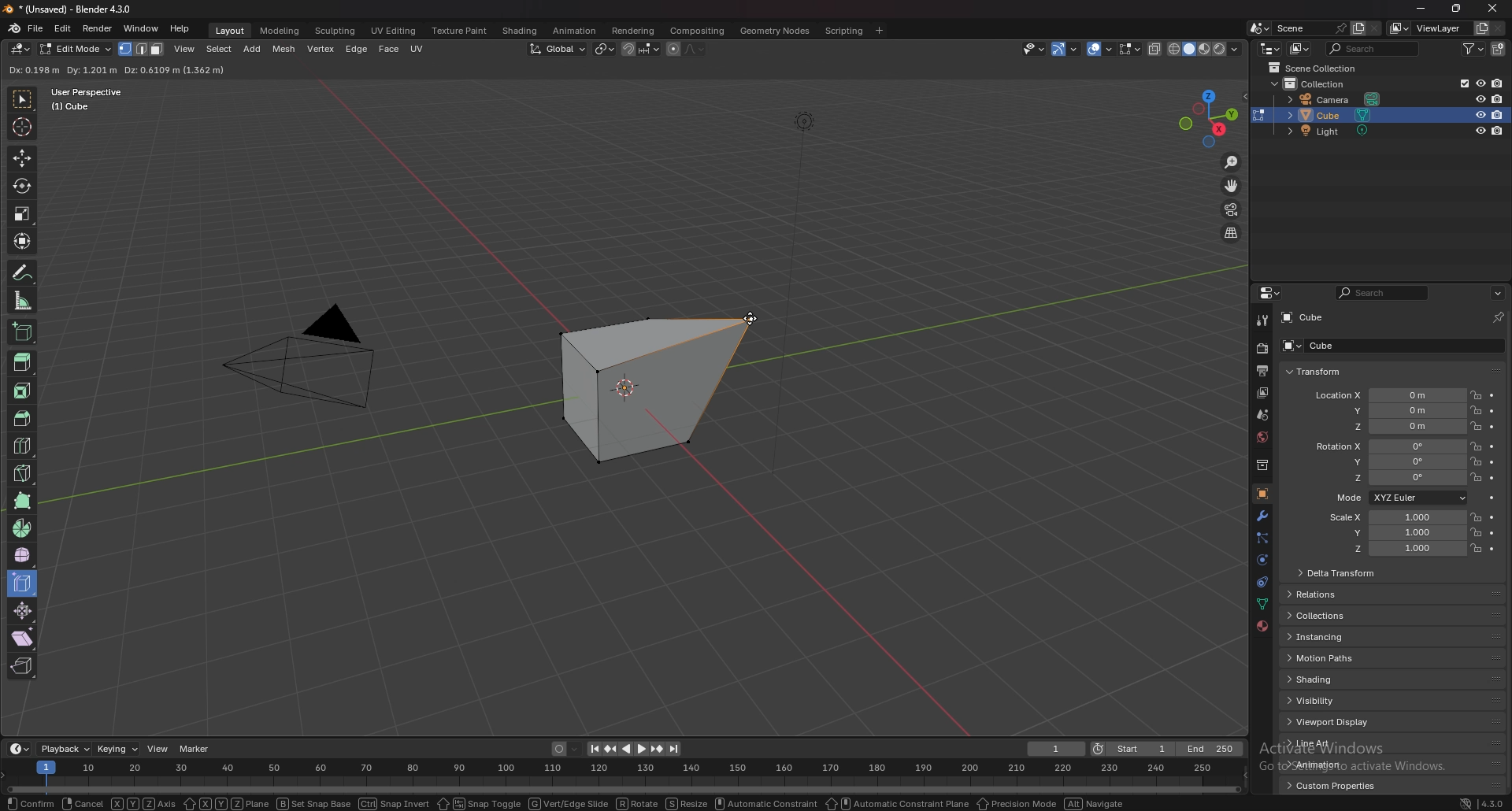 This screenshot has width=1512, height=811. Describe the element at coordinates (313, 359) in the screenshot. I see `PYRAMID` at that location.